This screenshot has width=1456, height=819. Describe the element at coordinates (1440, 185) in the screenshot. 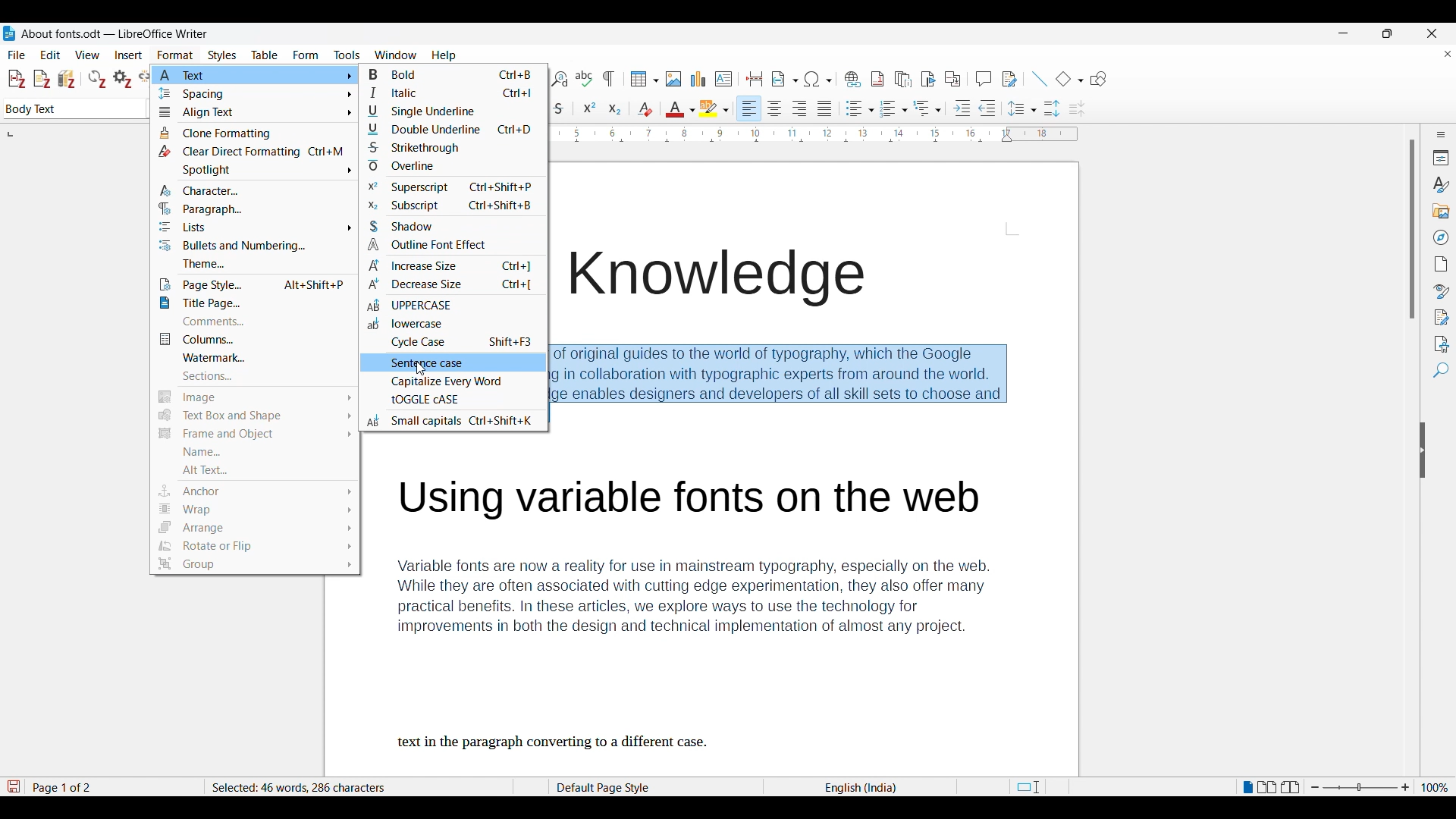

I see `Styles` at that location.